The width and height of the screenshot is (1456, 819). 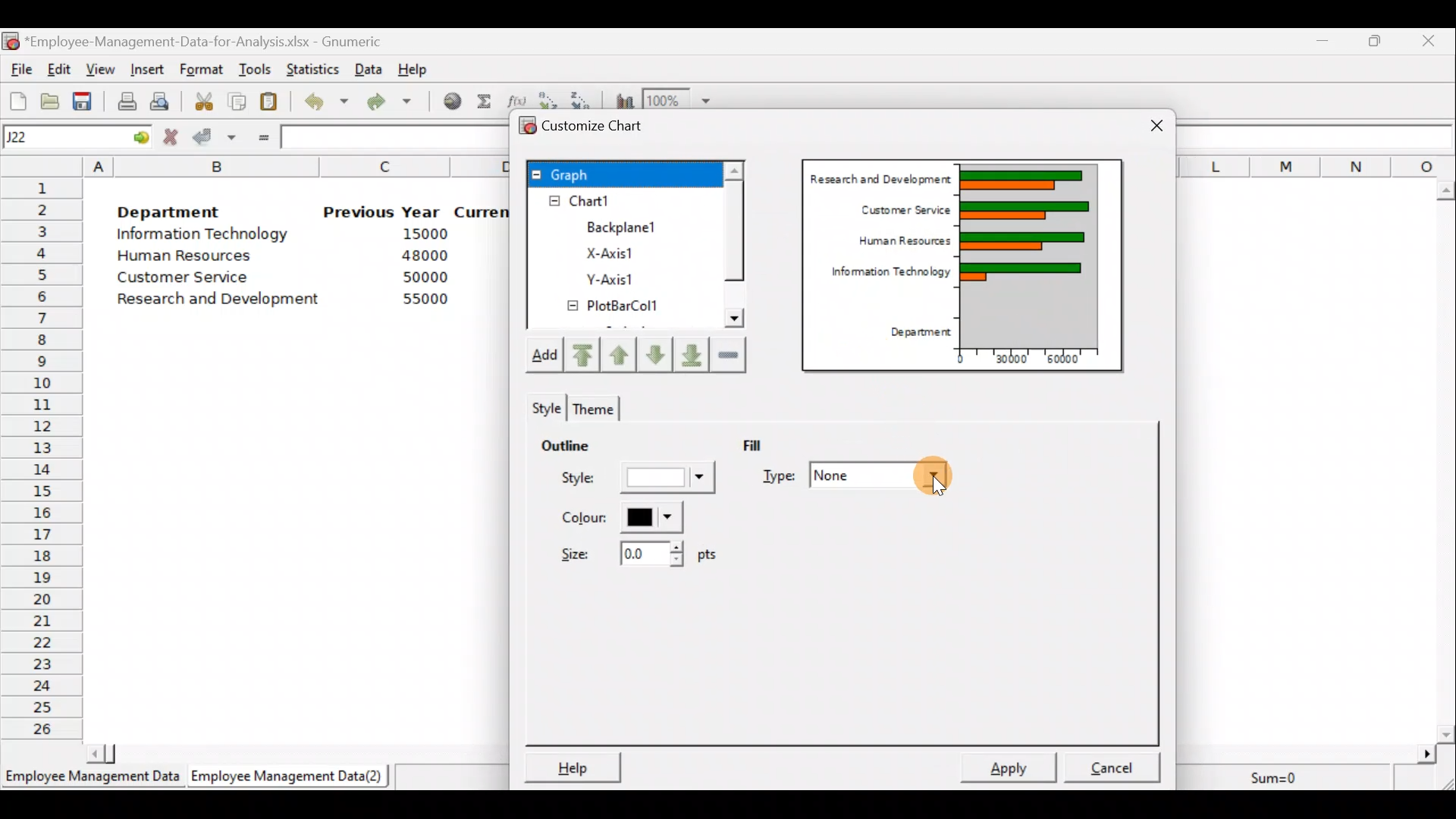 I want to click on Cut the selection, so click(x=206, y=104).